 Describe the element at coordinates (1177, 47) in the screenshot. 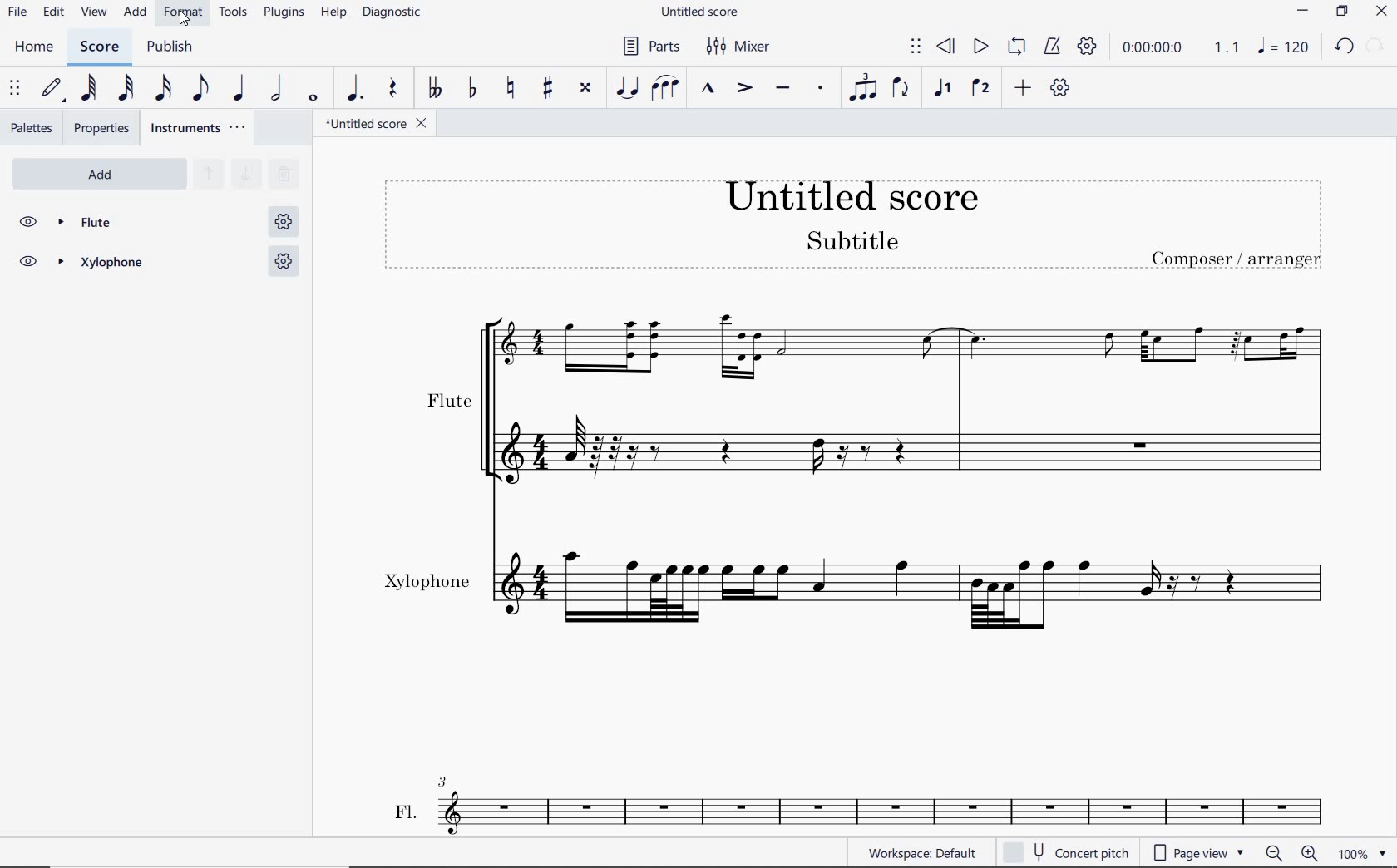

I see `PLAY TIME` at that location.